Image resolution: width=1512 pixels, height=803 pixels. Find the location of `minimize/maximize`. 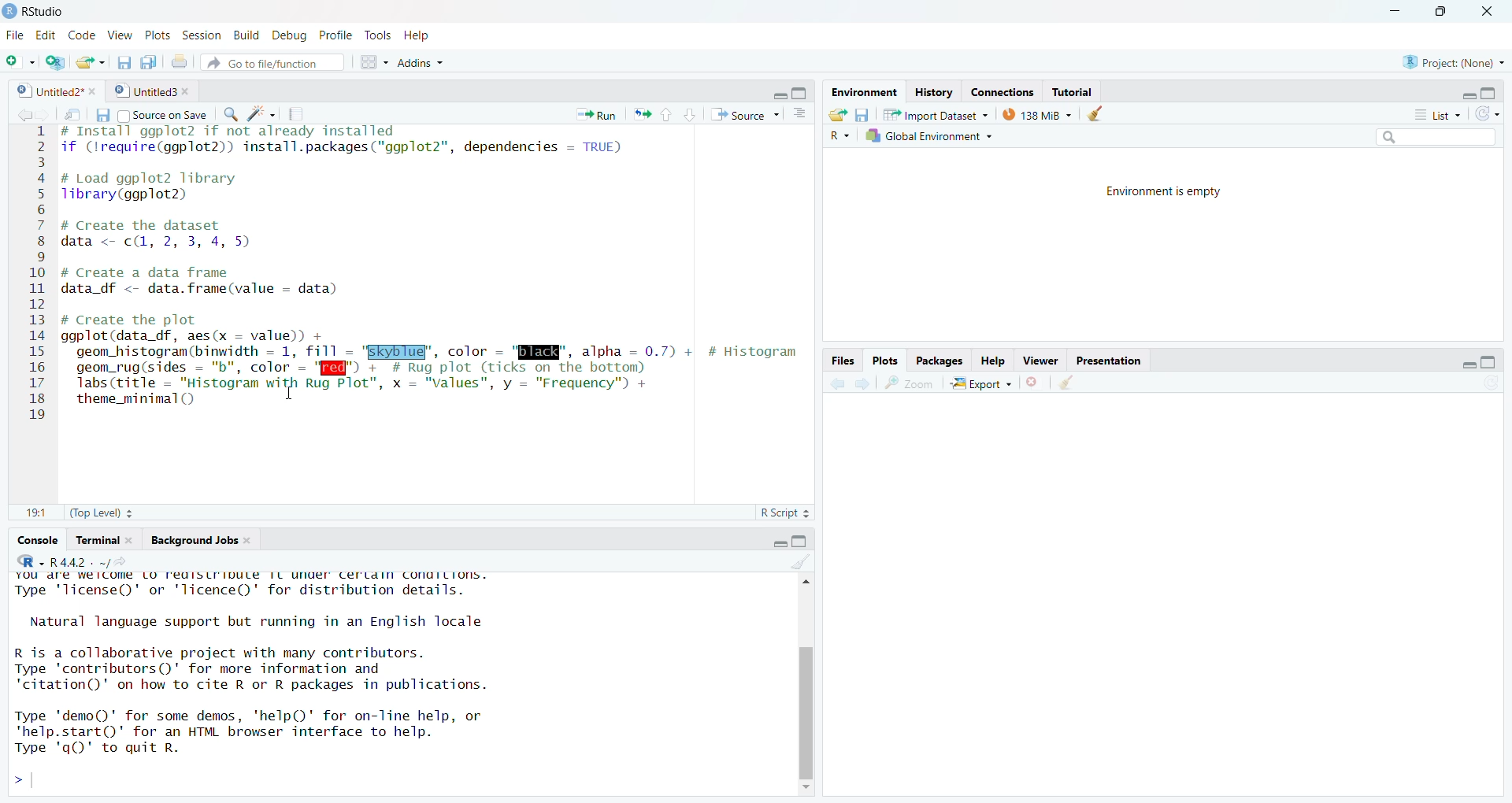

minimize/maximize is located at coordinates (791, 89).